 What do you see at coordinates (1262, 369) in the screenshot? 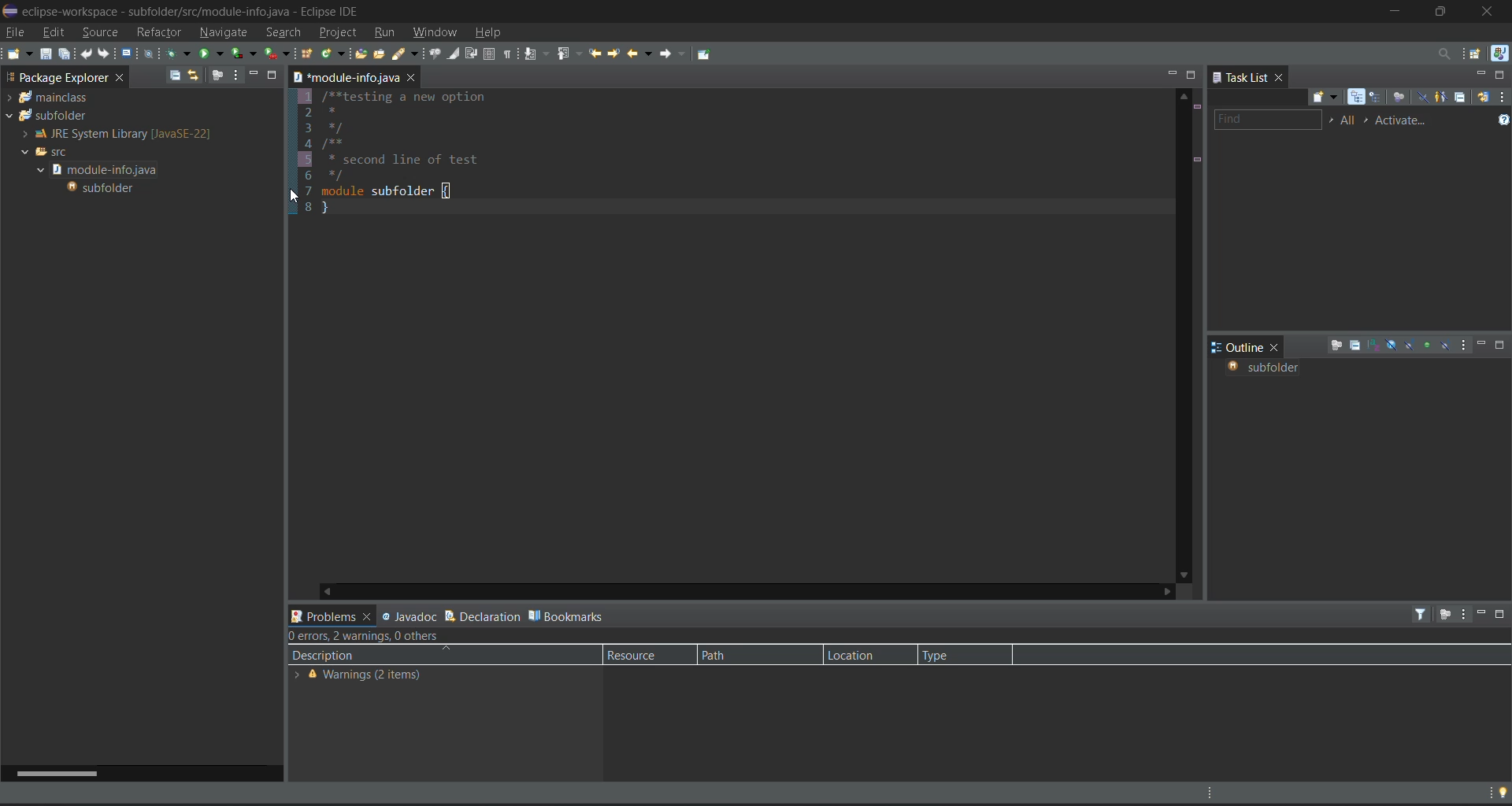
I see `subfolder` at bounding box center [1262, 369].